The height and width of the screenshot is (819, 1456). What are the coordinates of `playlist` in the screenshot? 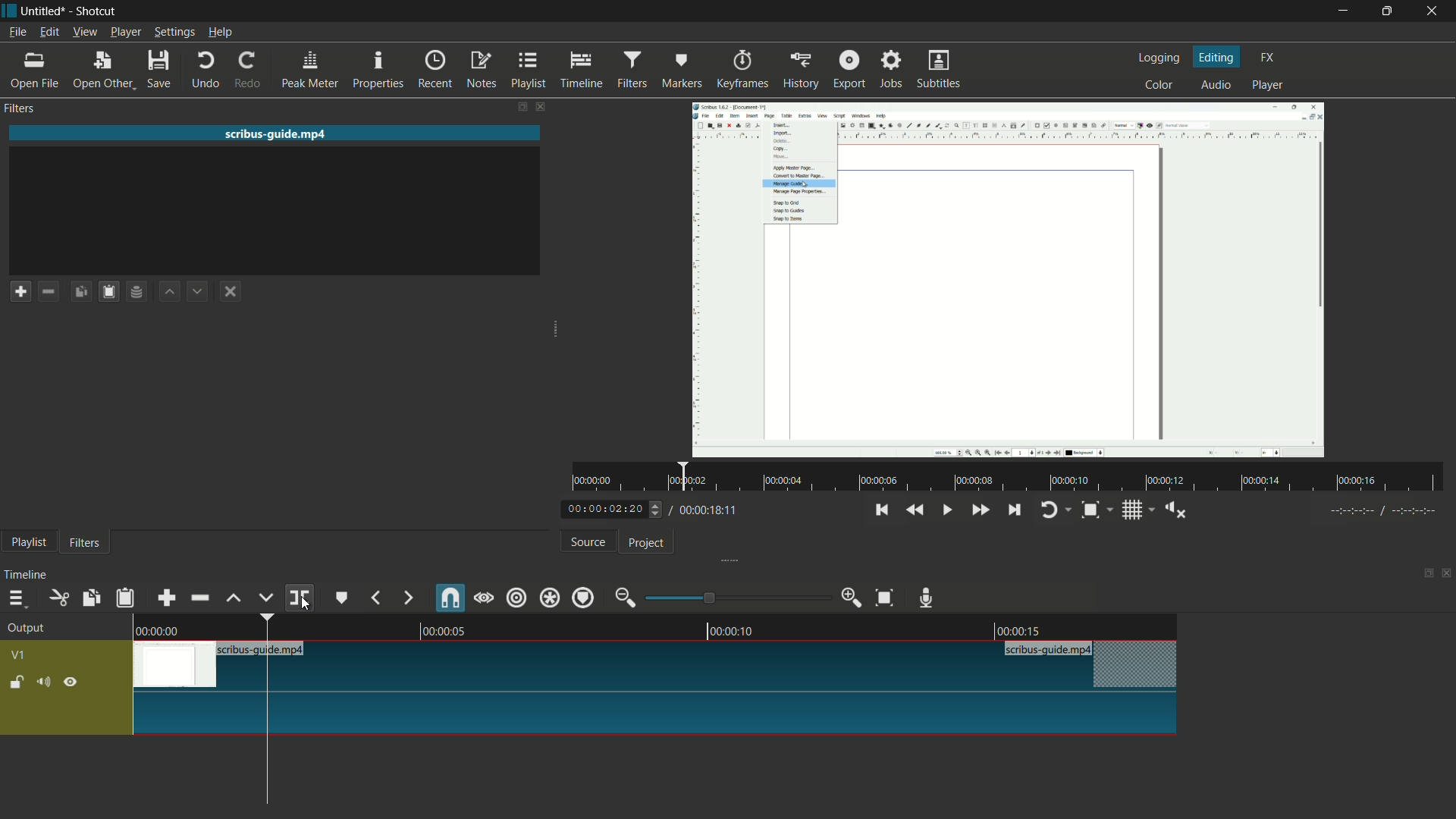 It's located at (26, 543).